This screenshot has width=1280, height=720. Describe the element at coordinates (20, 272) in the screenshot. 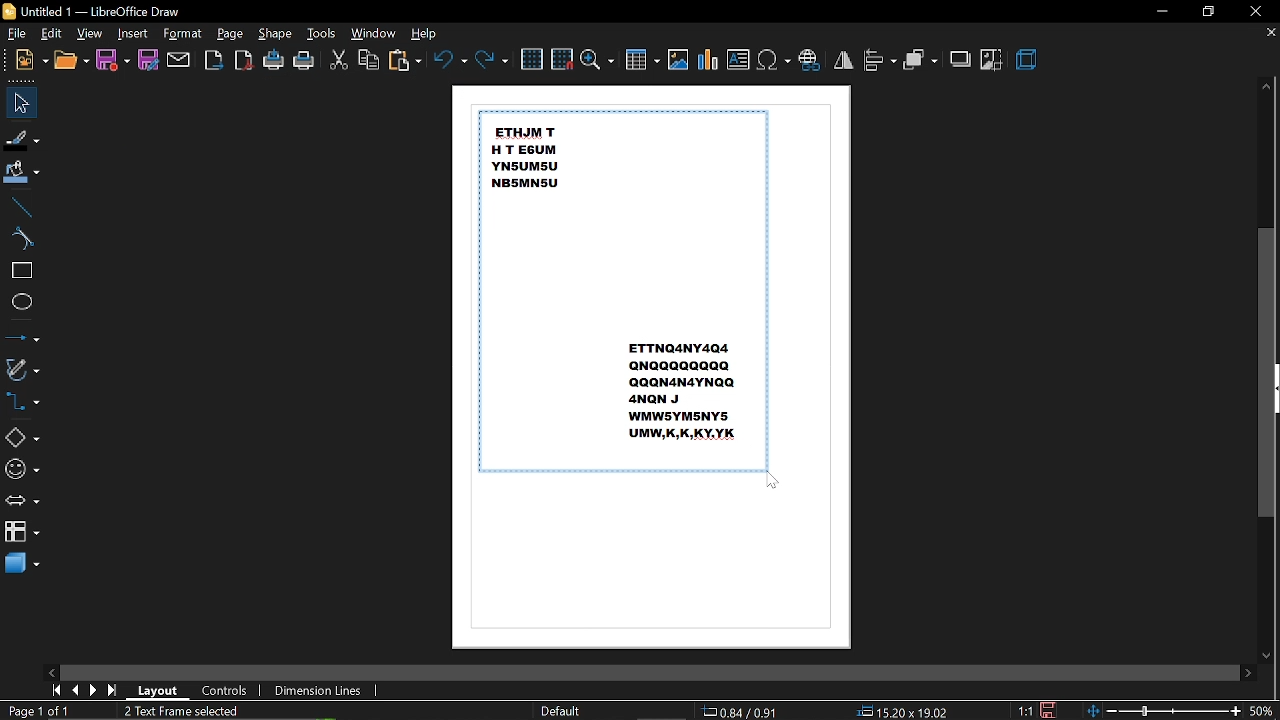

I see `rectangle` at that location.